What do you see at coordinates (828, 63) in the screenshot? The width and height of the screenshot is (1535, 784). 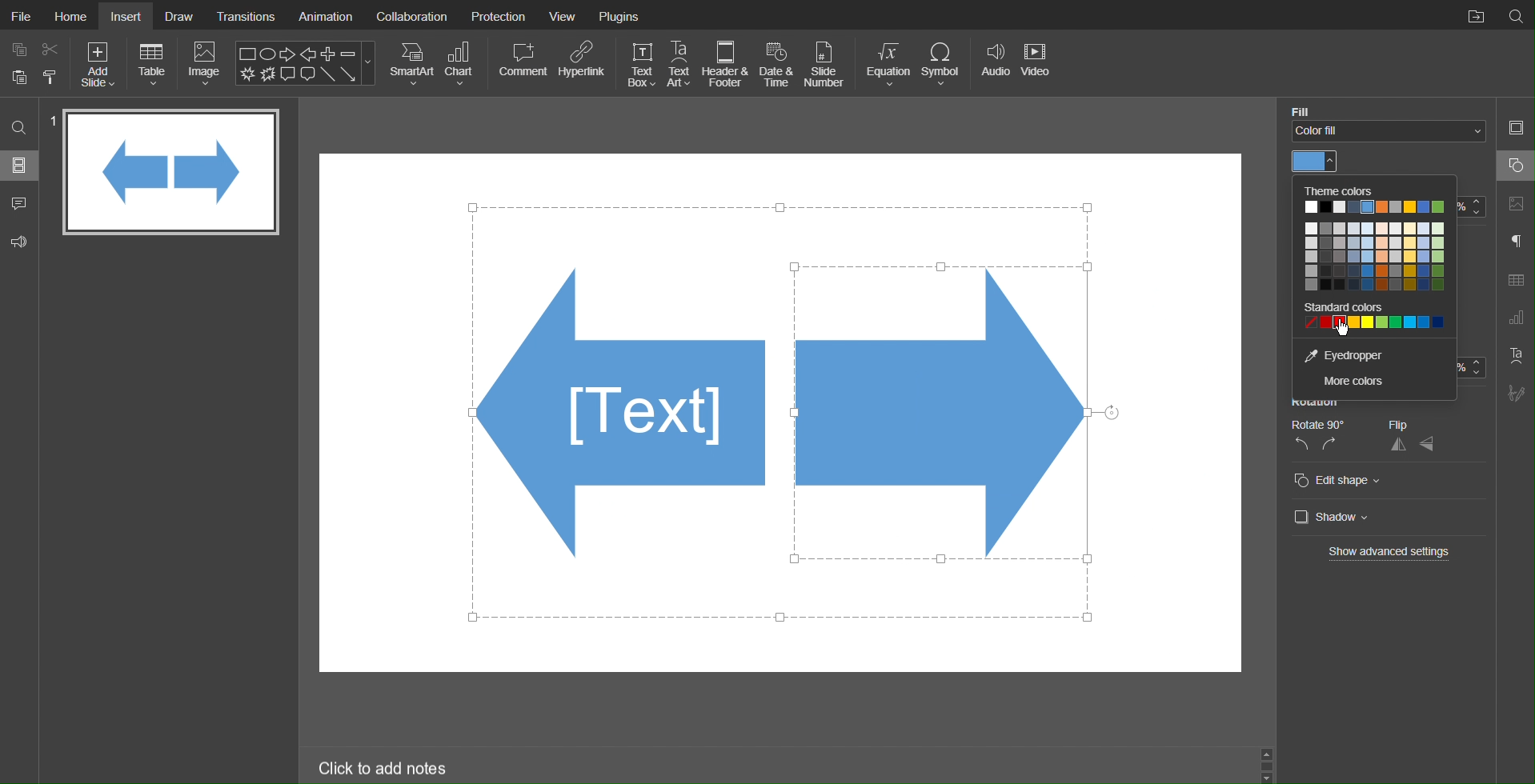 I see `Slide Number` at bounding box center [828, 63].